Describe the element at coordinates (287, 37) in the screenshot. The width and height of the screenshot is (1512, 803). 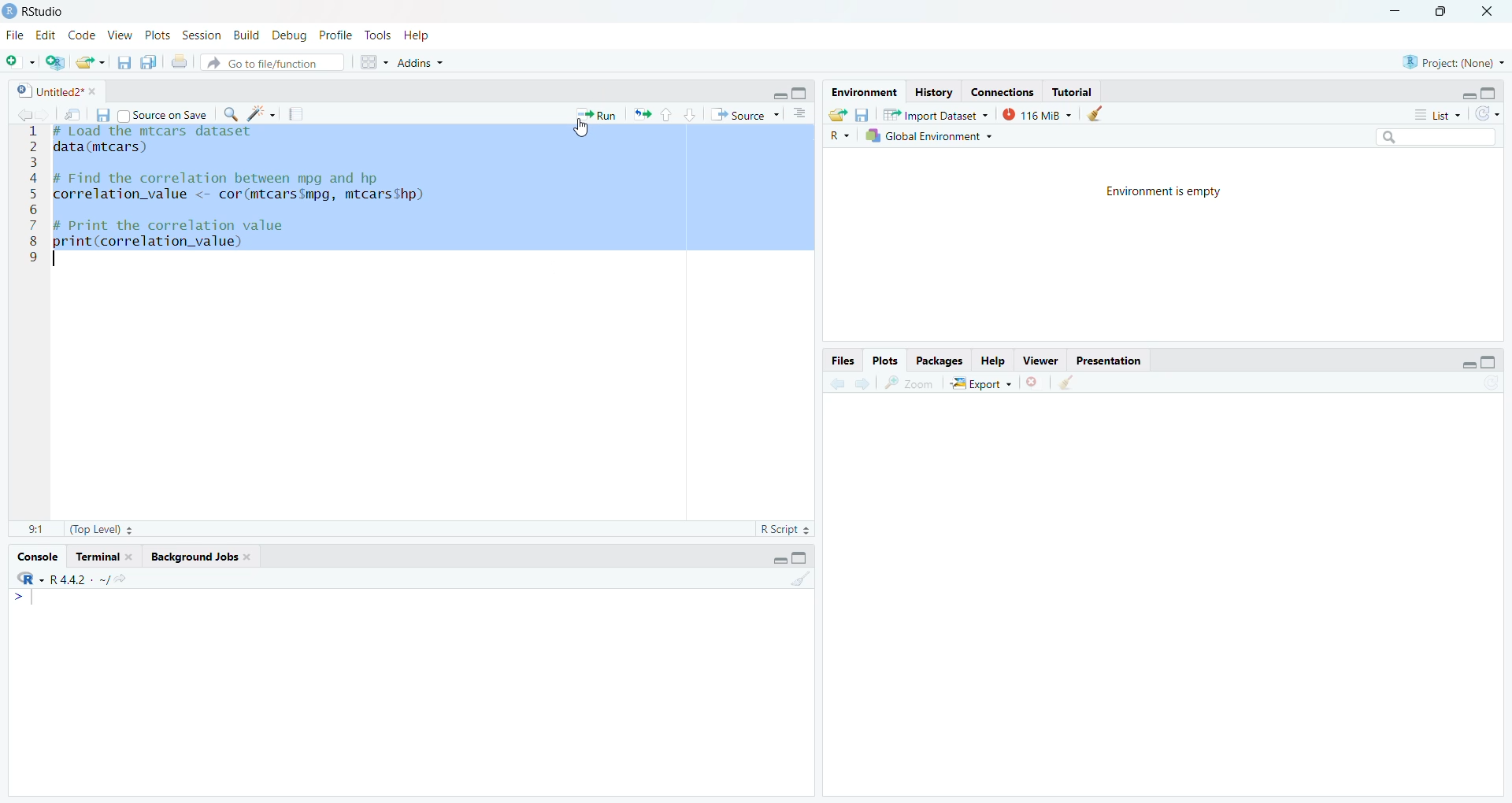
I see `Debug` at that location.